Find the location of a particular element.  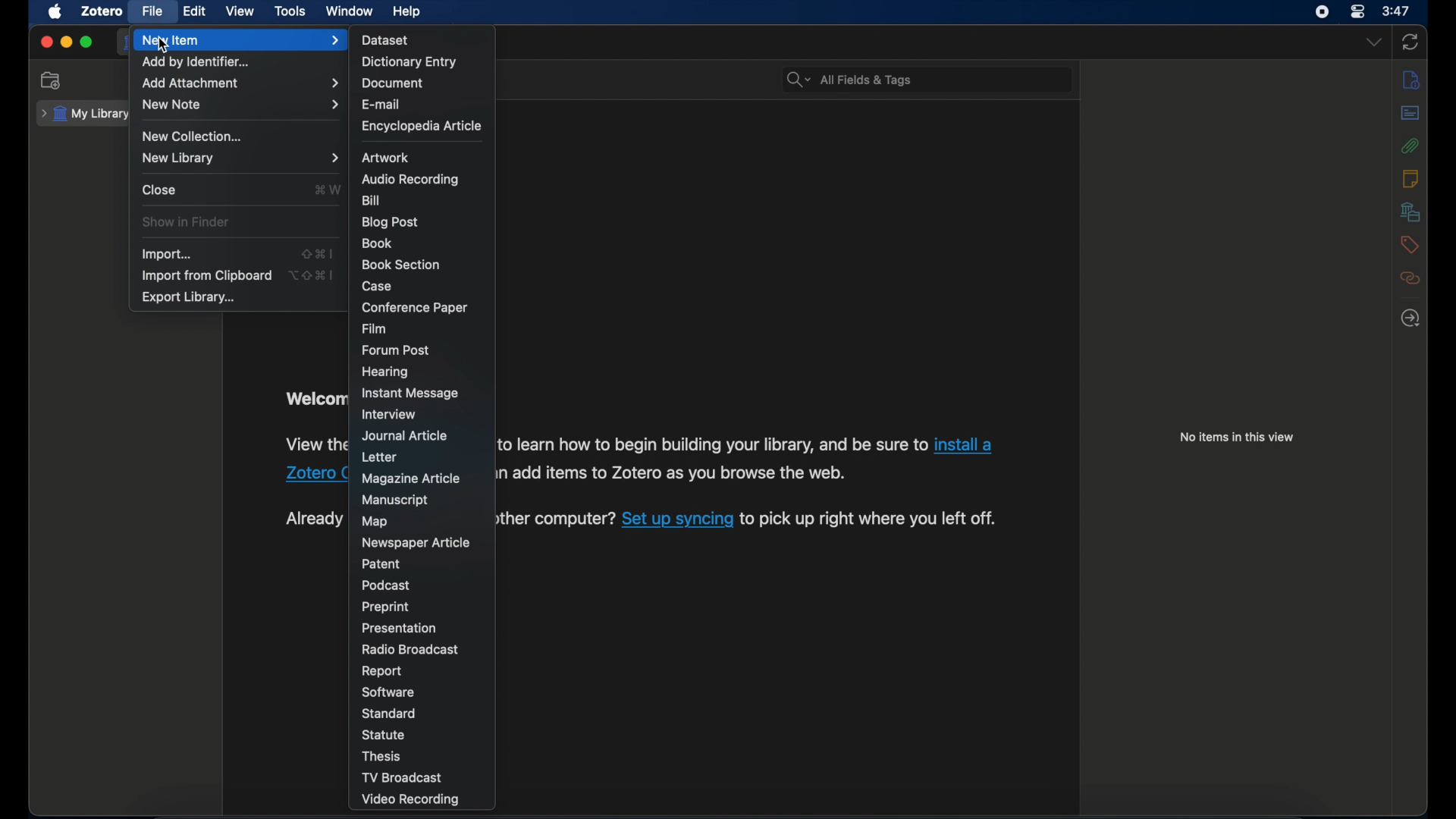

new library is located at coordinates (240, 158).